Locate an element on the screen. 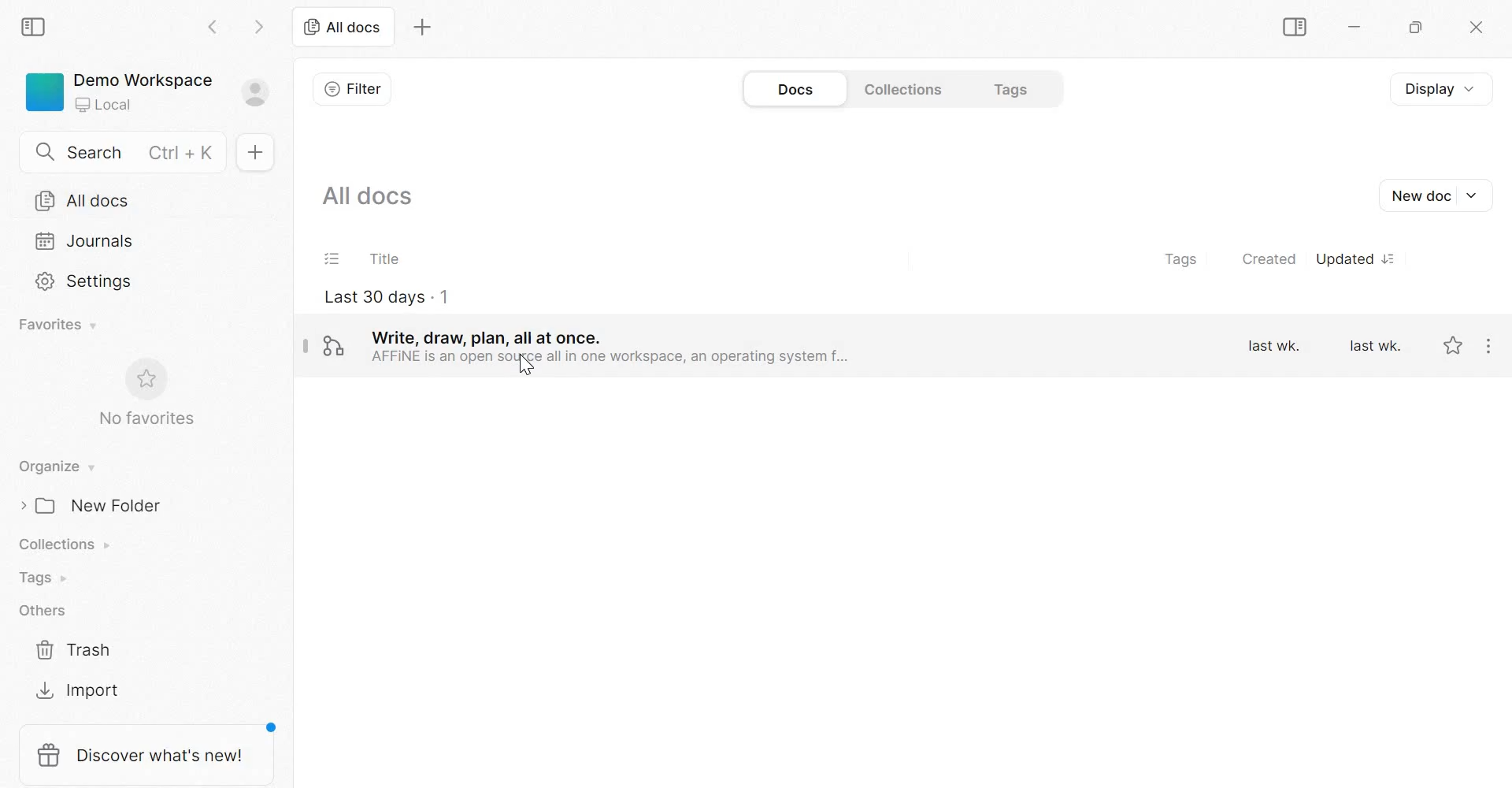  Search Ctrl+K is located at coordinates (125, 149).